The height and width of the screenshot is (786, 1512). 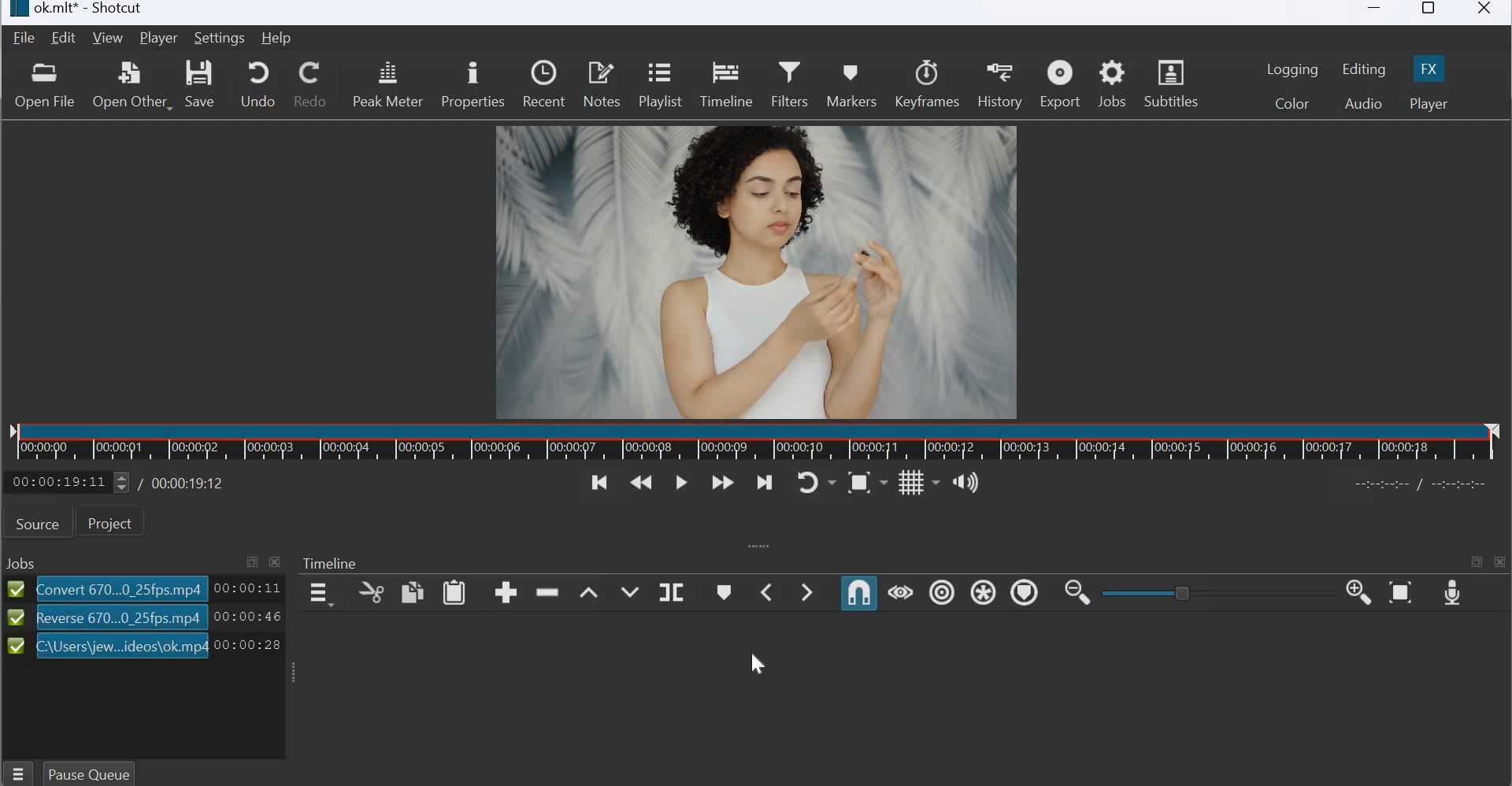 What do you see at coordinates (754, 546) in the screenshot?
I see `expand` at bounding box center [754, 546].